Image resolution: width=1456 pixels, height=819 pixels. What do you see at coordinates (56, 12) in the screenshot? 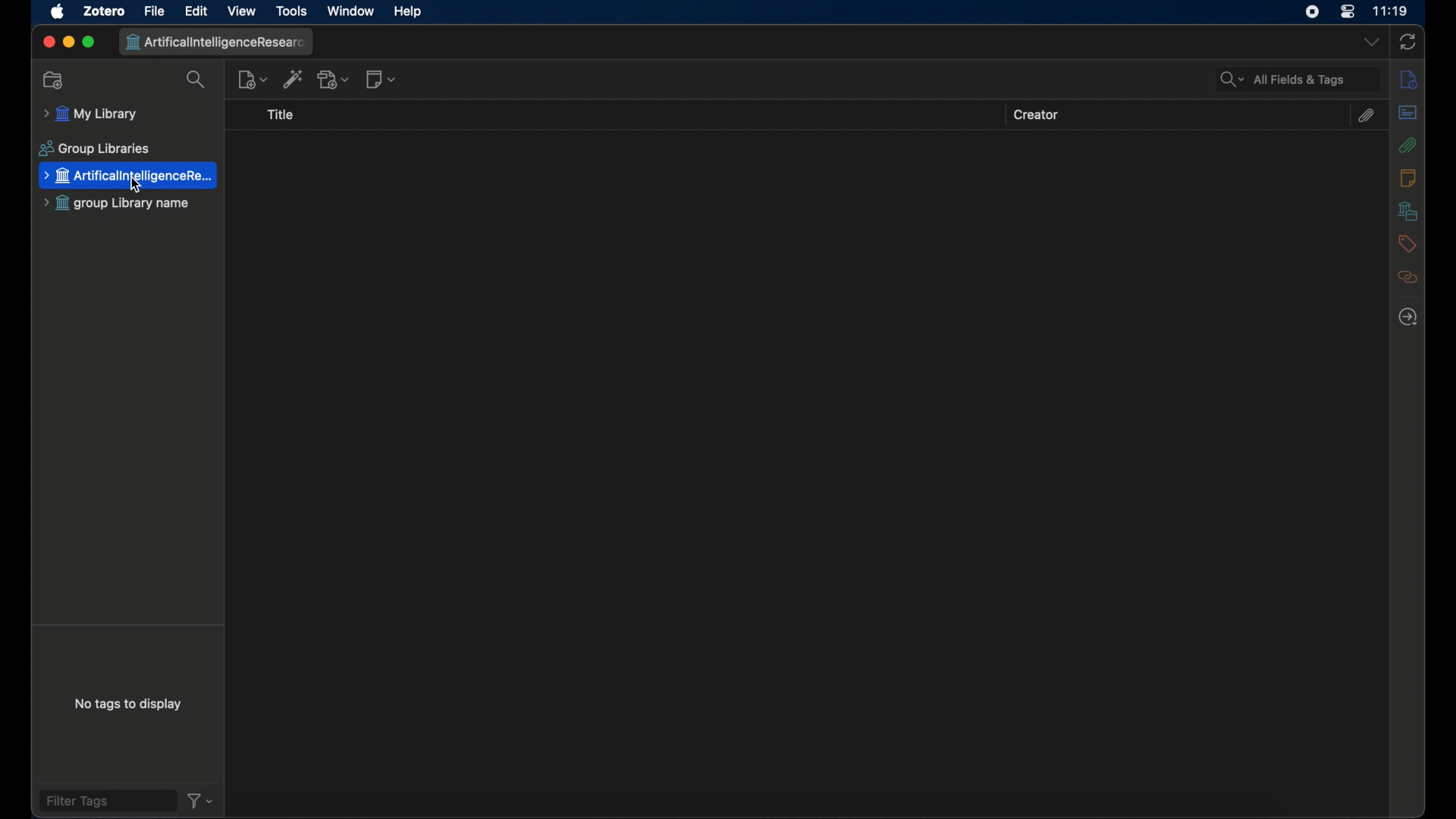
I see `apple icon` at bounding box center [56, 12].